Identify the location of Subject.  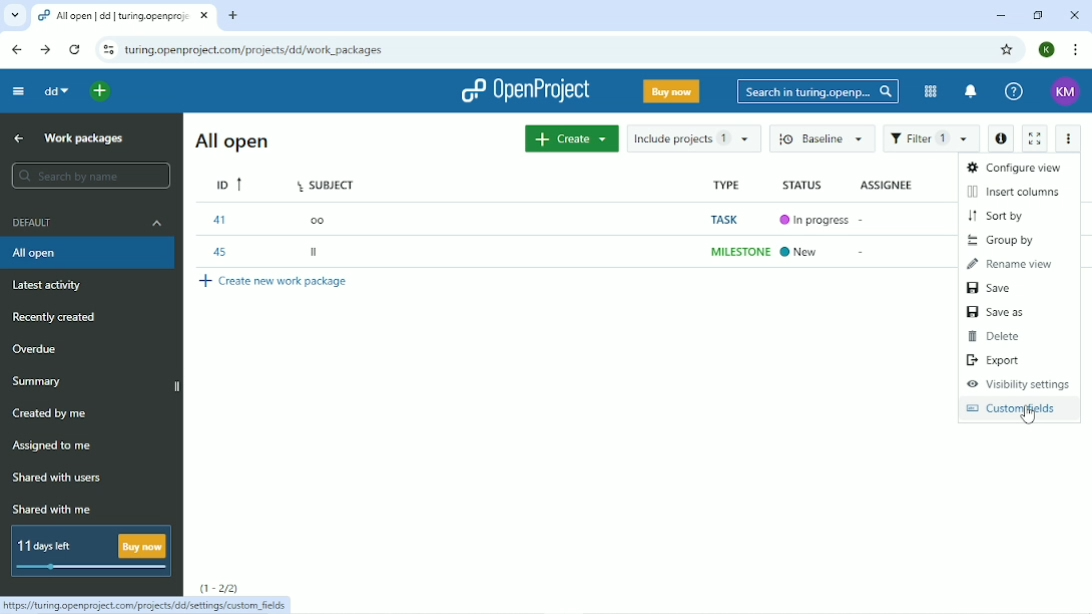
(327, 182).